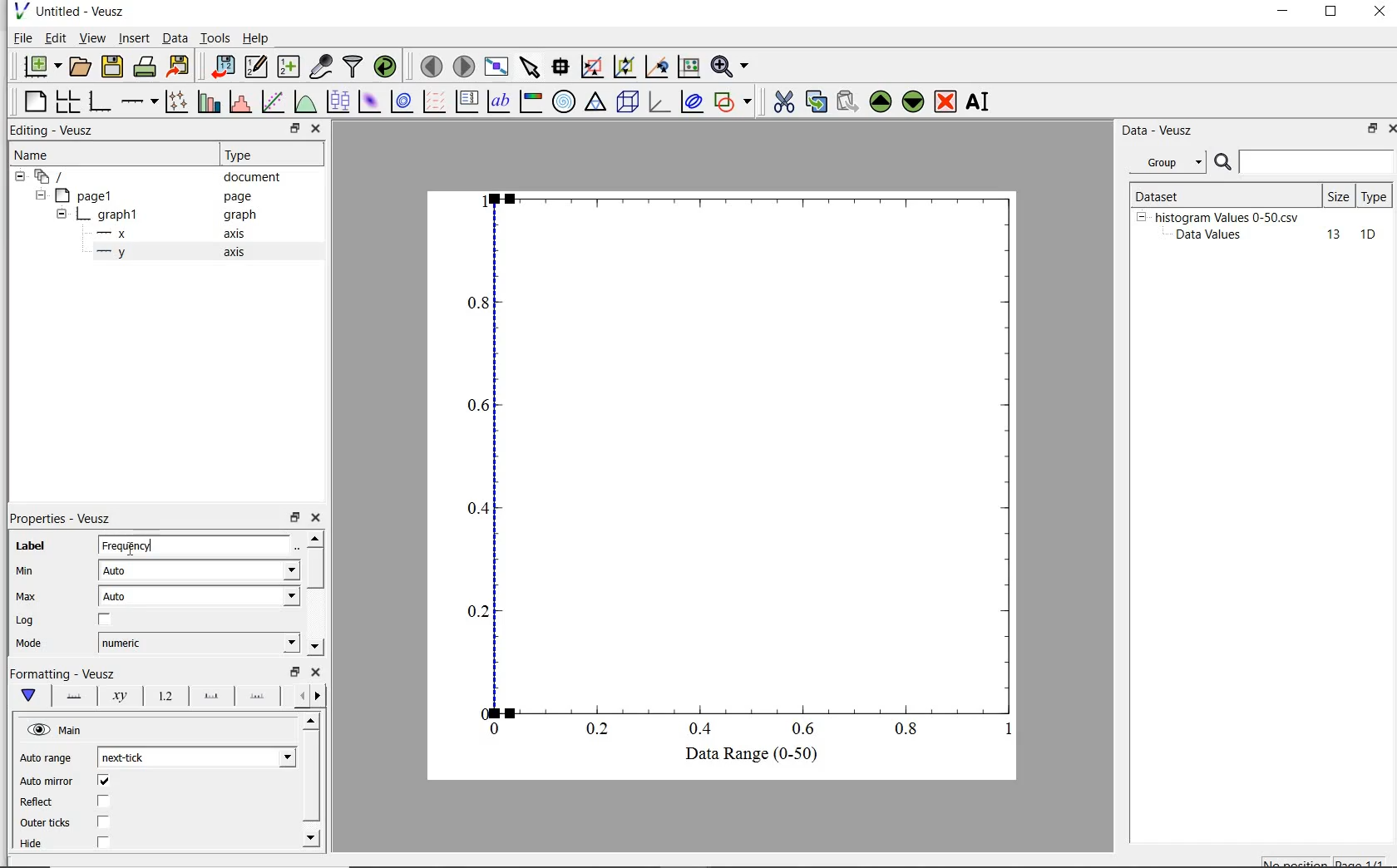  Describe the element at coordinates (111, 217) in the screenshot. I see `graph1` at that location.